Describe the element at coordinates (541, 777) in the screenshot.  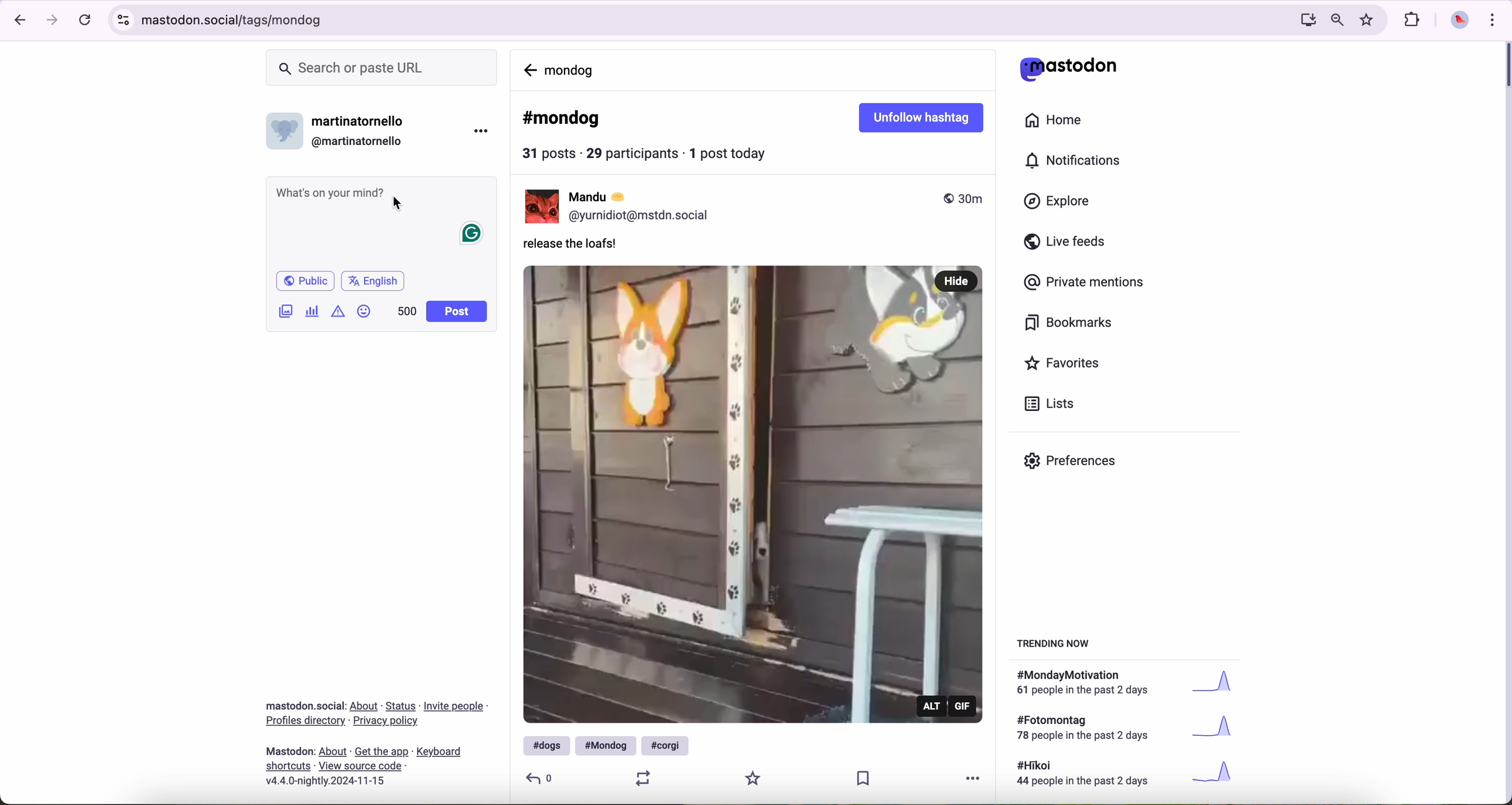
I see `reply` at that location.